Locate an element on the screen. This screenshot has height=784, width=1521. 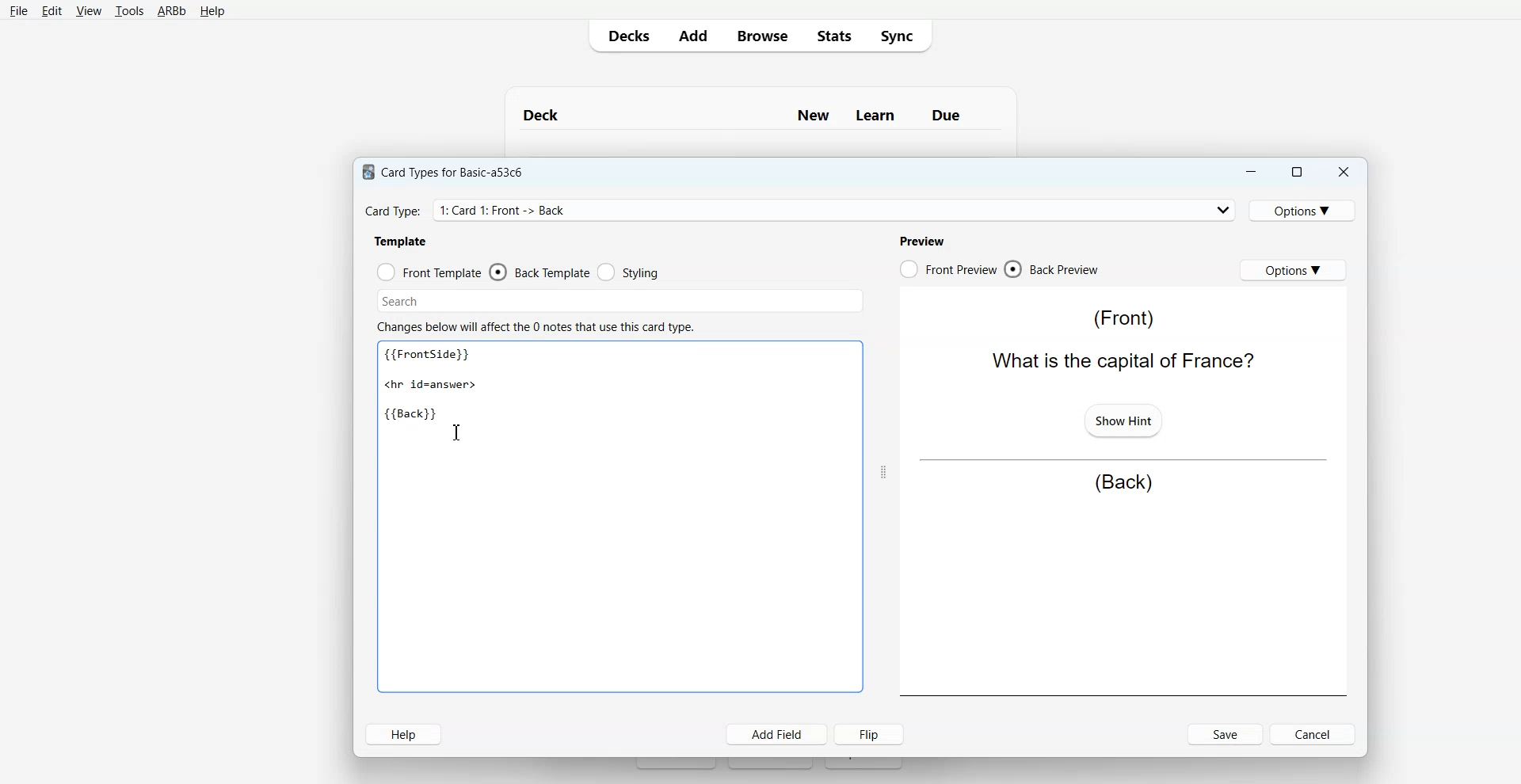
Help is located at coordinates (212, 12).